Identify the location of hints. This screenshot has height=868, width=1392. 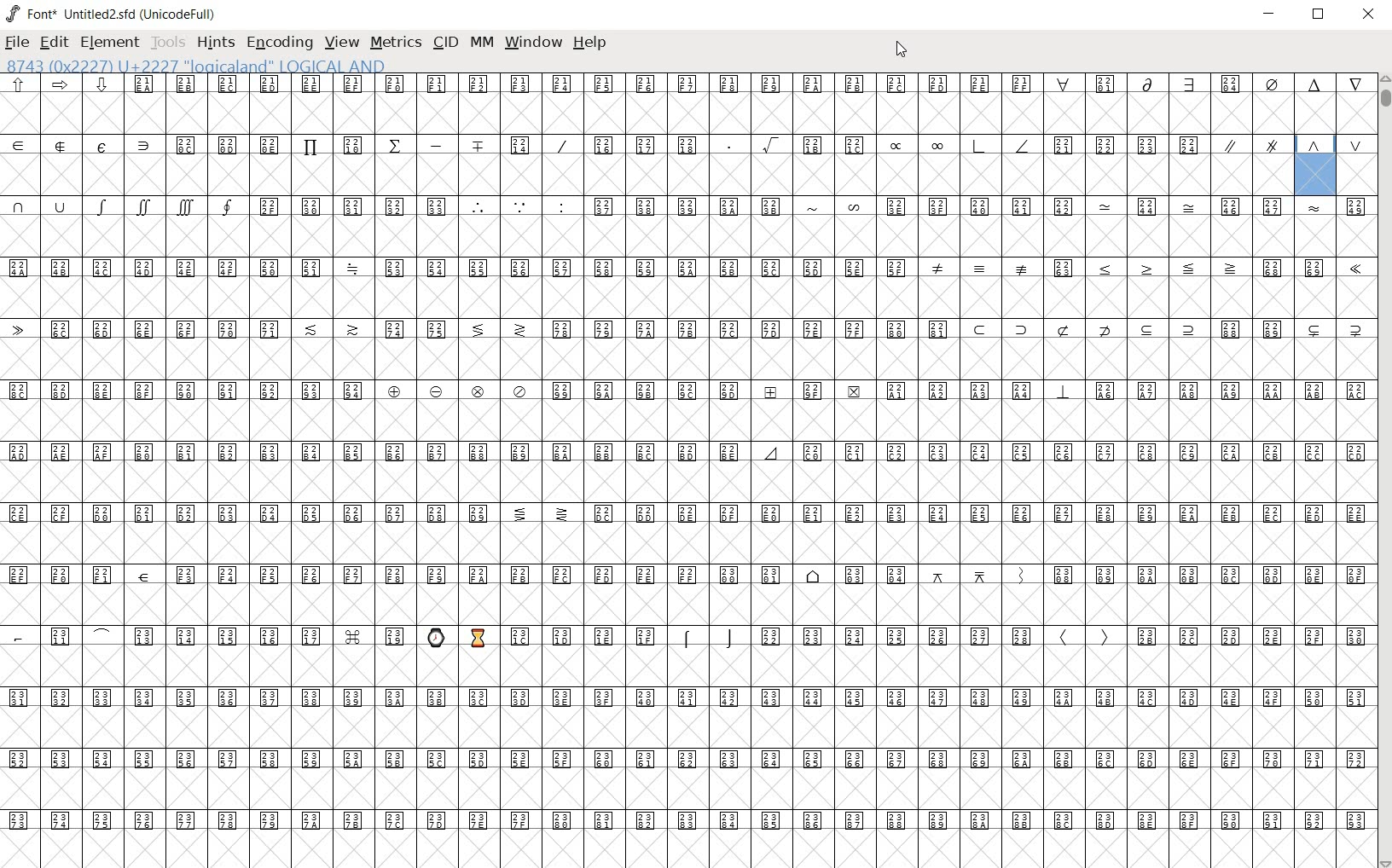
(216, 44).